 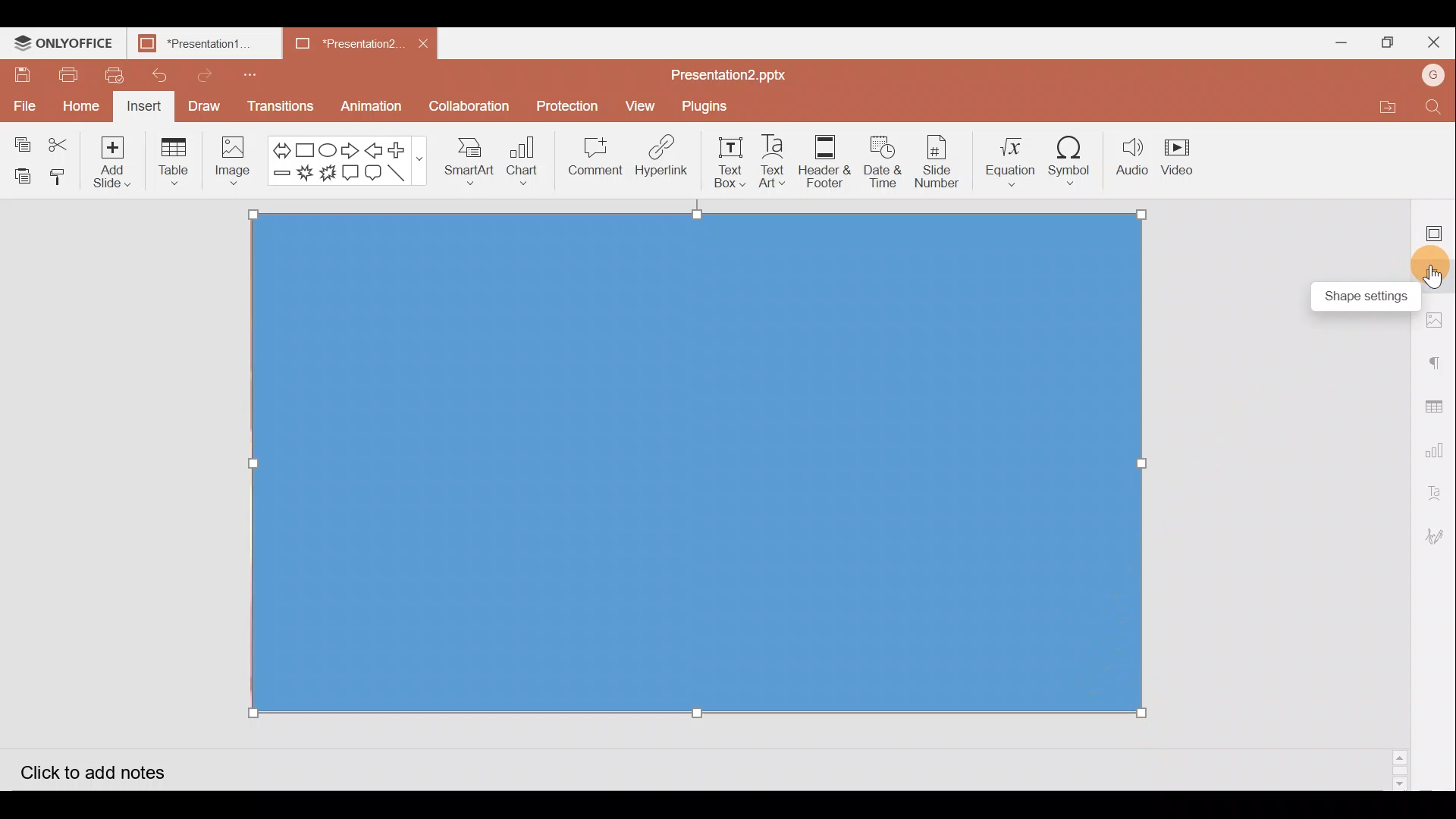 I want to click on Close document, so click(x=422, y=42).